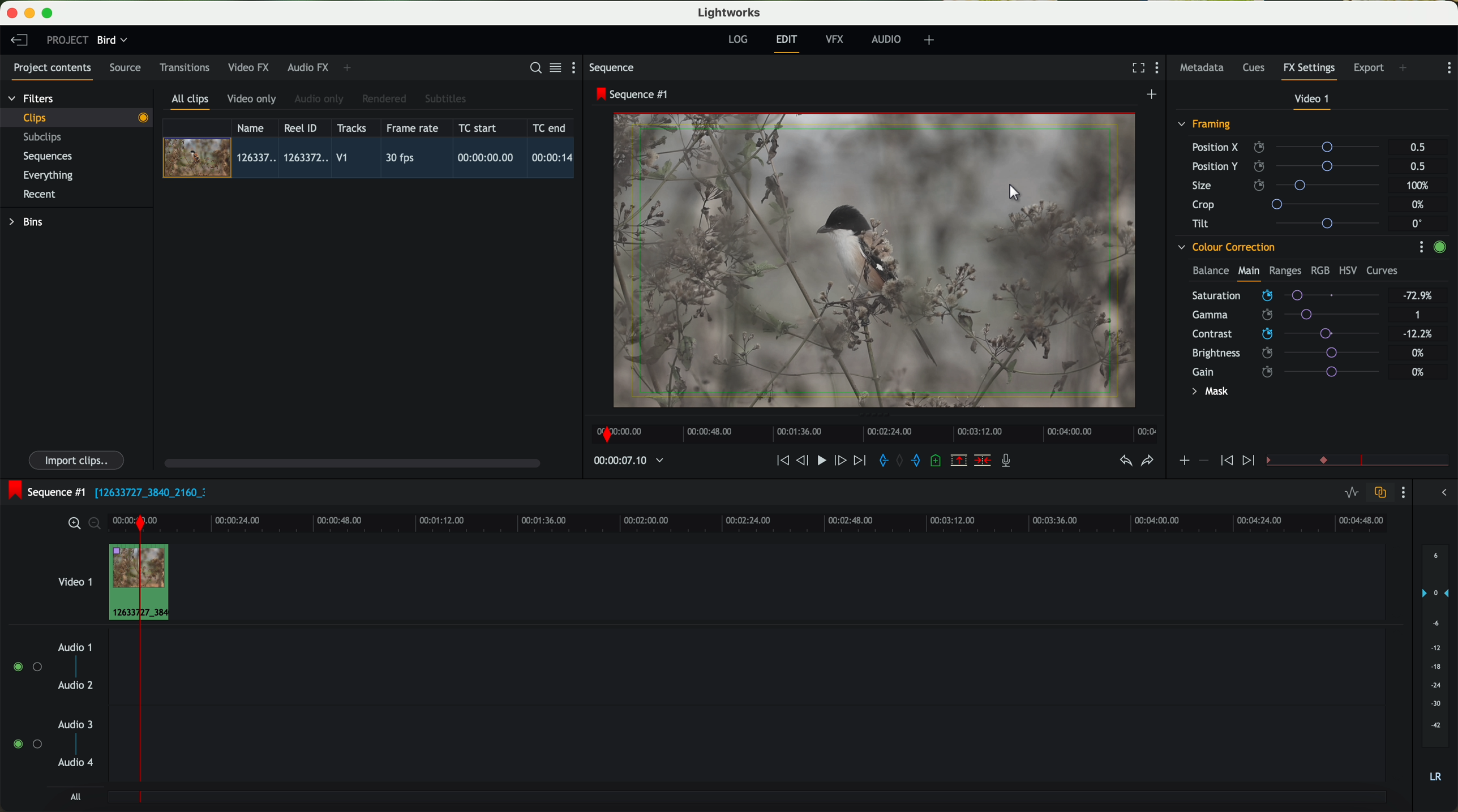 The width and height of the screenshot is (1458, 812). Describe the element at coordinates (139, 661) in the screenshot. I see `time bar` at that location.